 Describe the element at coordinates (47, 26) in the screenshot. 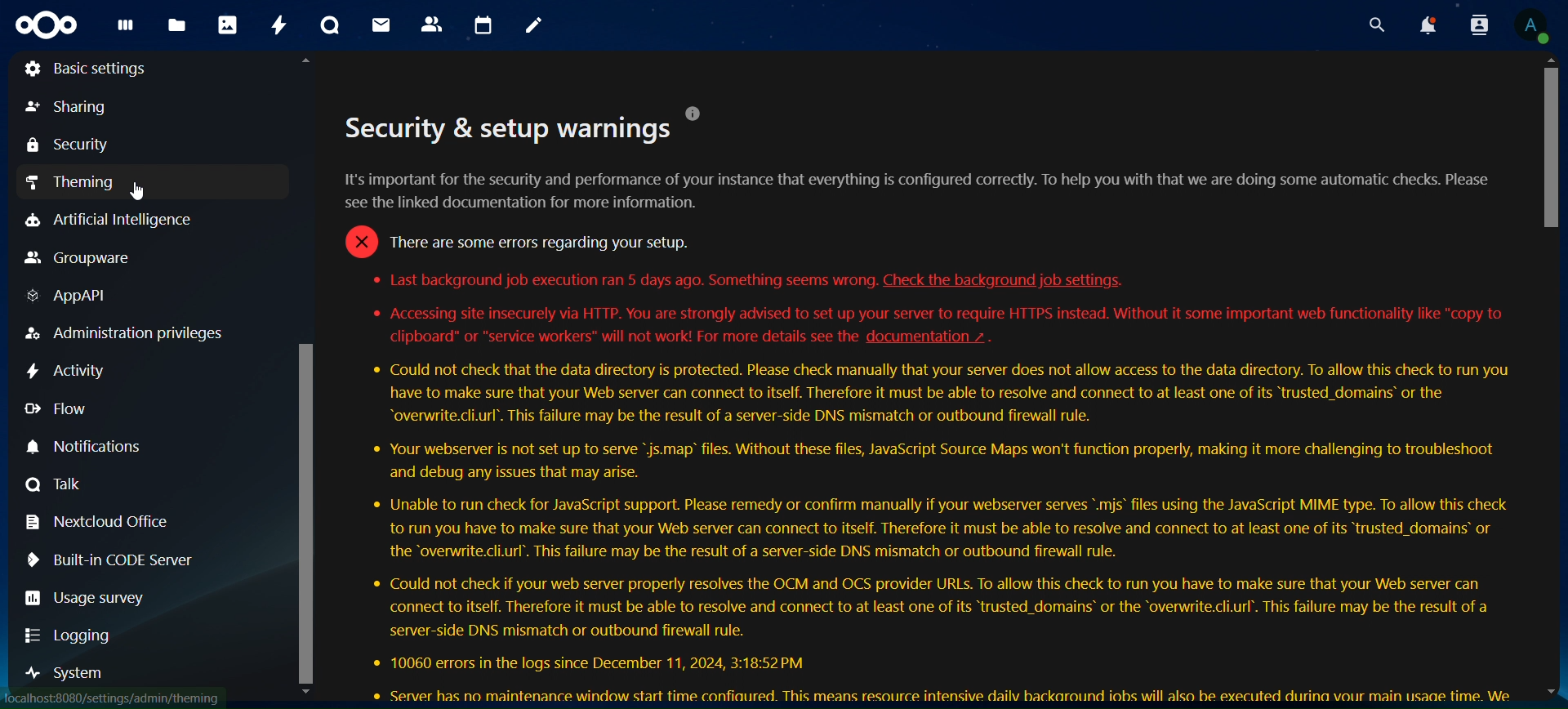

I see `logo` at that location.